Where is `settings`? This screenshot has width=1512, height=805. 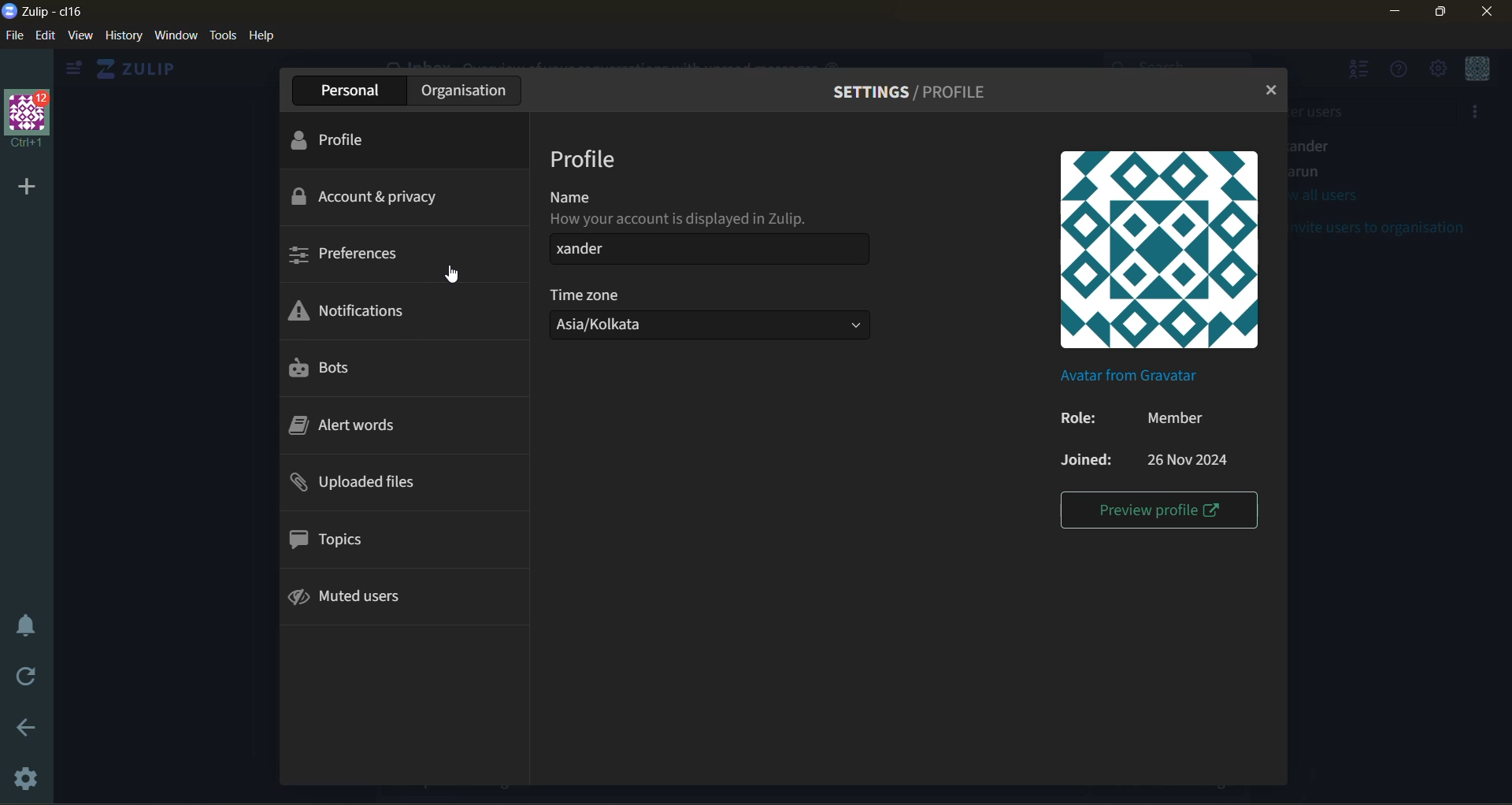 settings is located at coordinates (28, 776).